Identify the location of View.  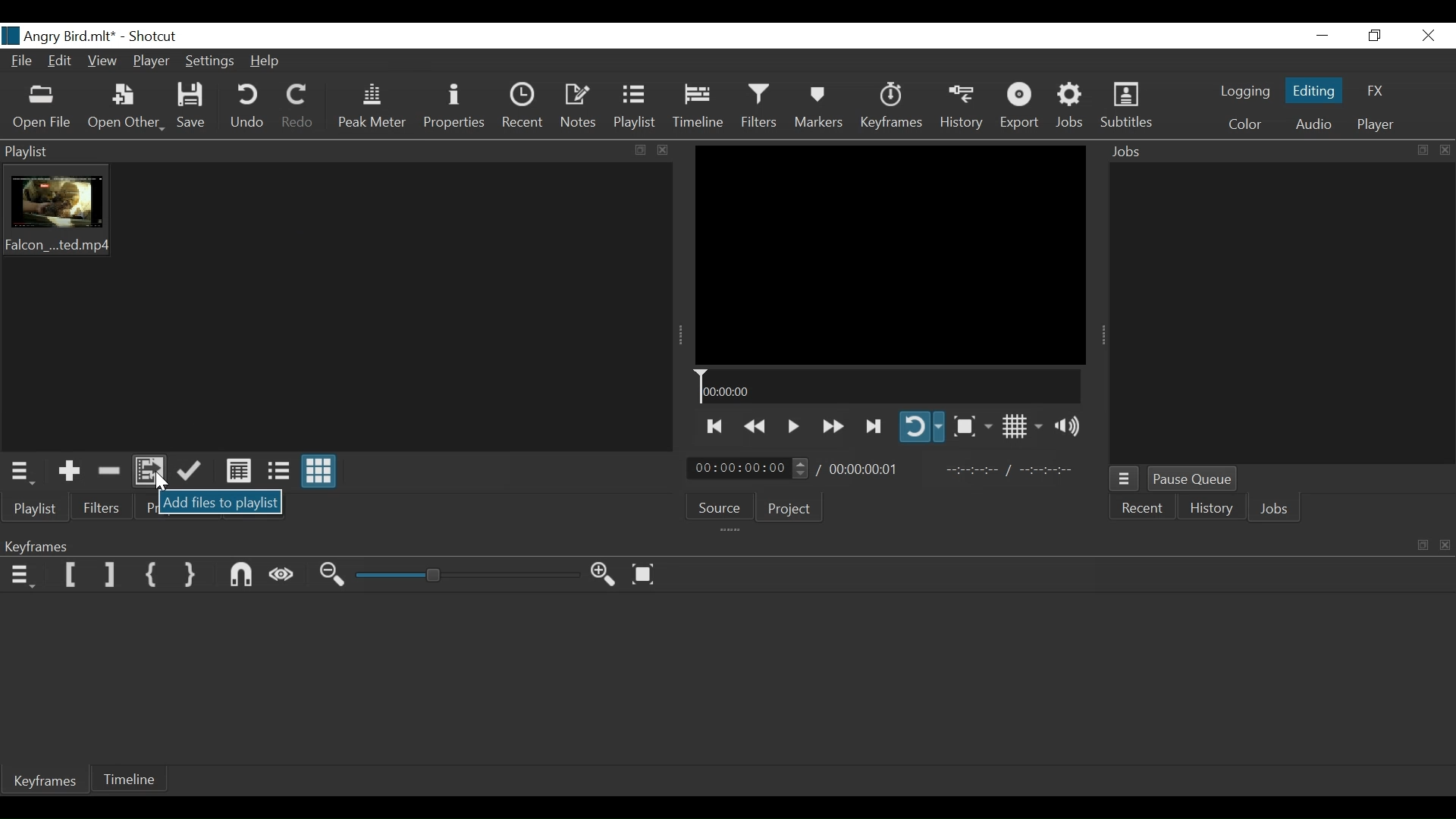
(104, 61).